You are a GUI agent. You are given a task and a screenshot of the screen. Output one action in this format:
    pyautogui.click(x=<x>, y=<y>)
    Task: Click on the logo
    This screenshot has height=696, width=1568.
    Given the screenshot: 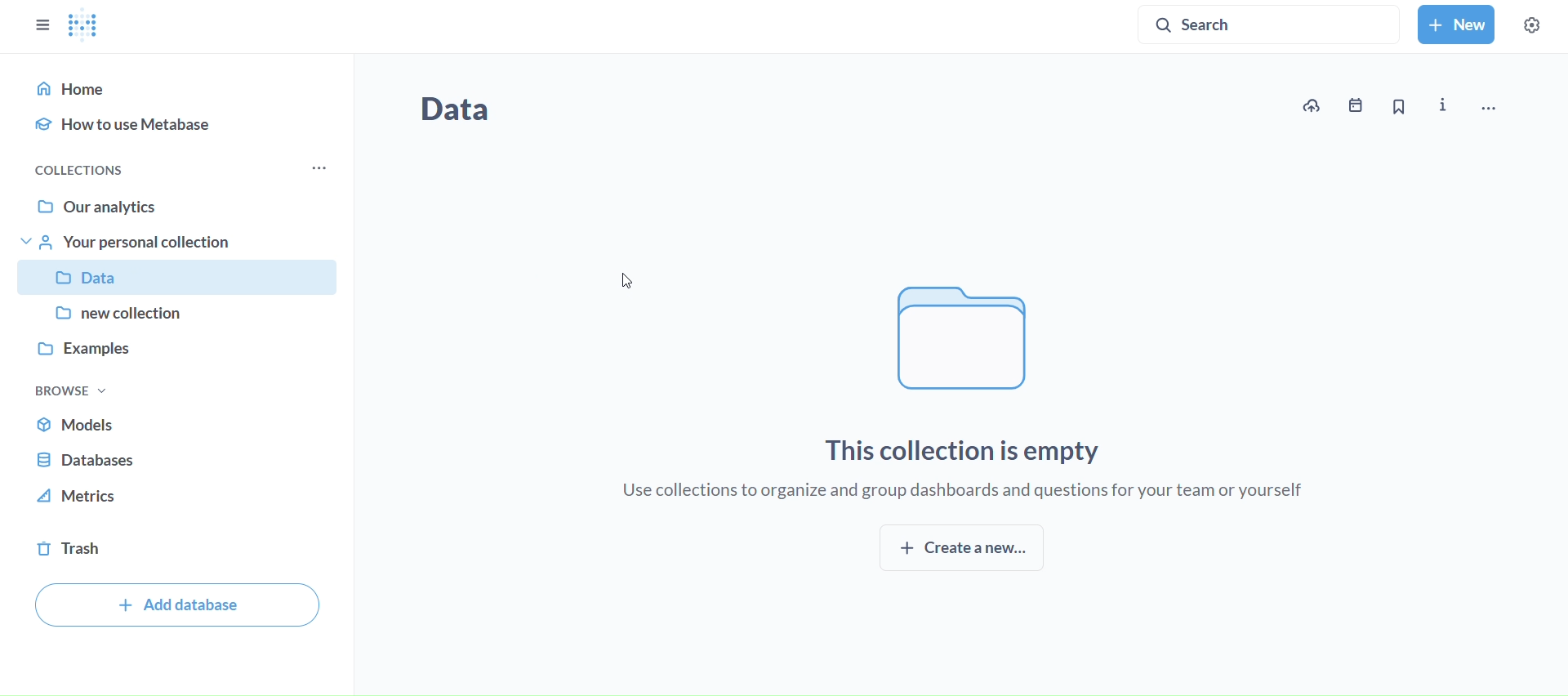 What is the action you would take?
    pyautogui.click(x=86, y=26)
    